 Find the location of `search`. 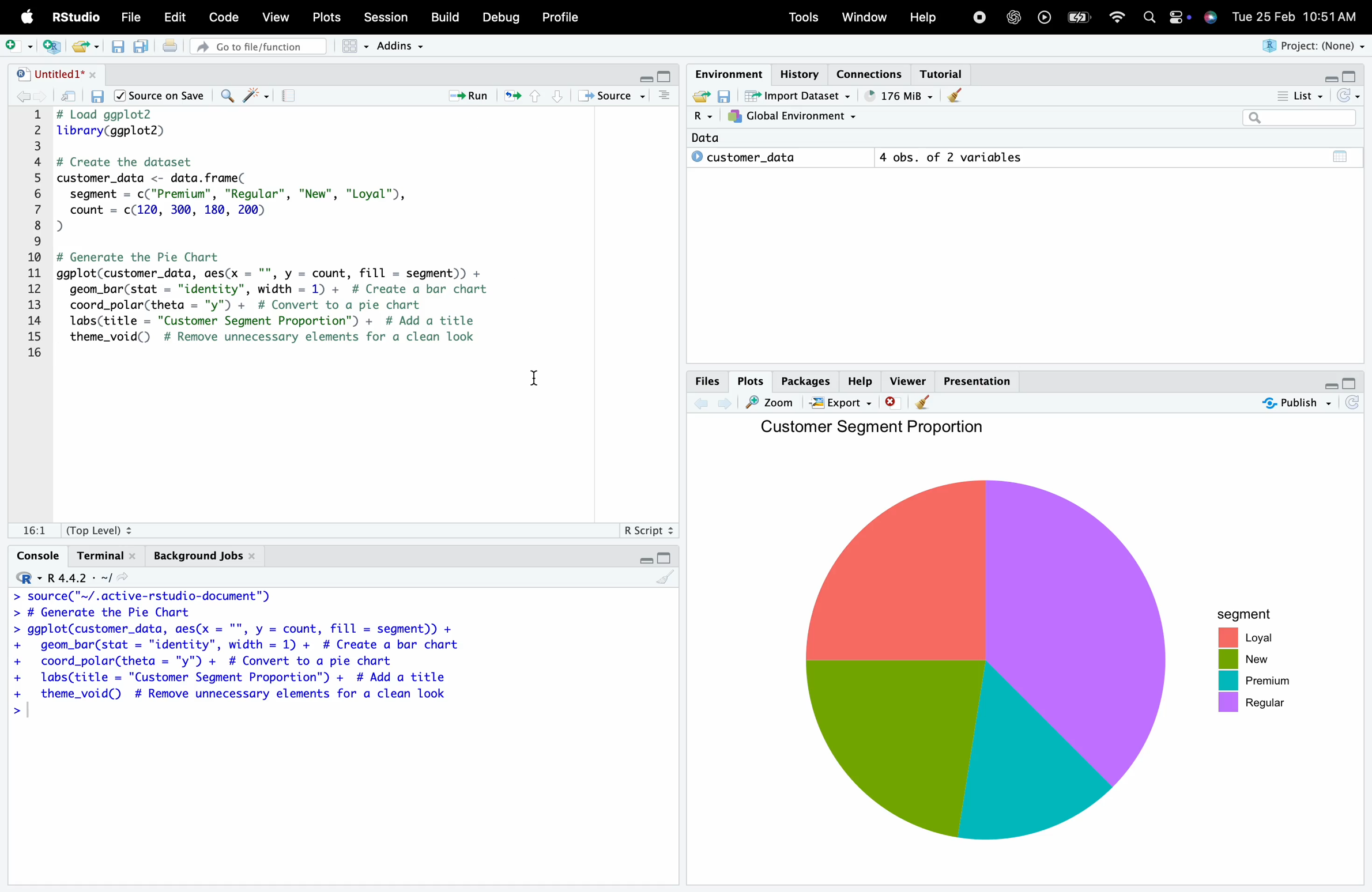

search is located at coordinates (1153, 19).